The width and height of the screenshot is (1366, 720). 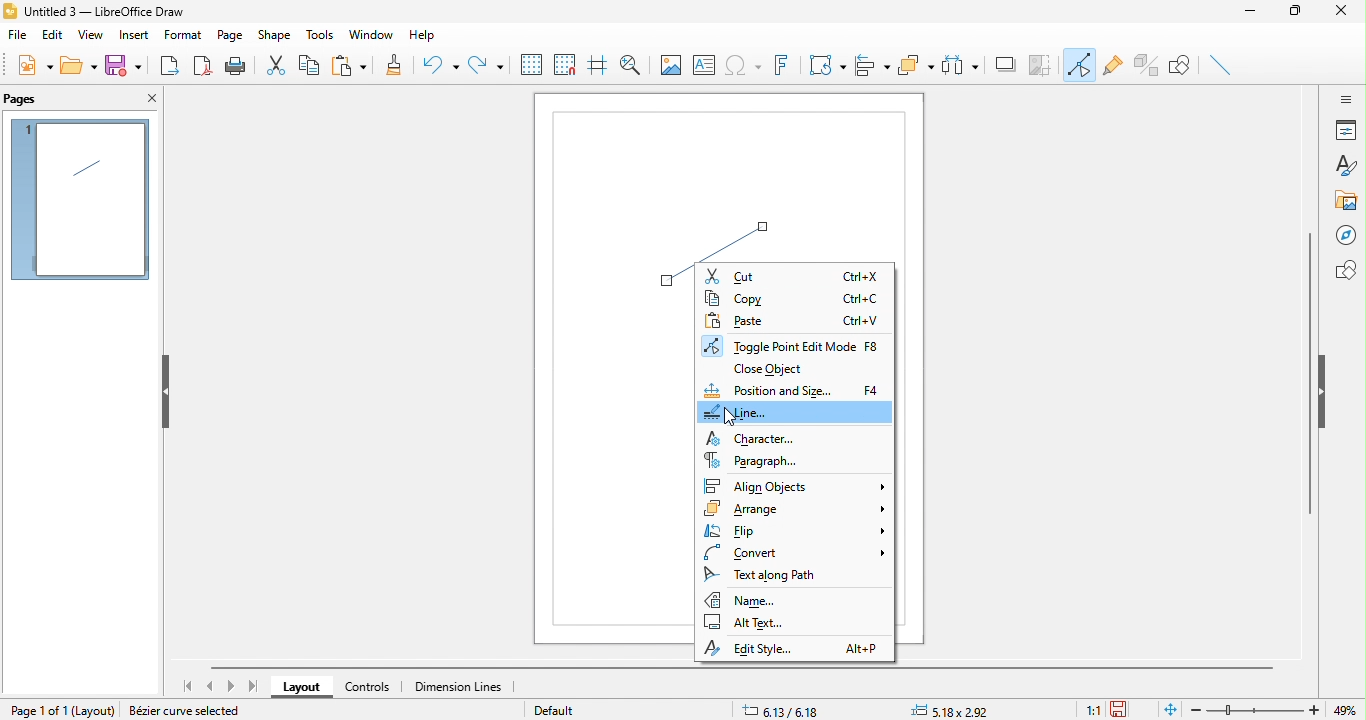 I want to click on text box, so click(x=705, y=68).